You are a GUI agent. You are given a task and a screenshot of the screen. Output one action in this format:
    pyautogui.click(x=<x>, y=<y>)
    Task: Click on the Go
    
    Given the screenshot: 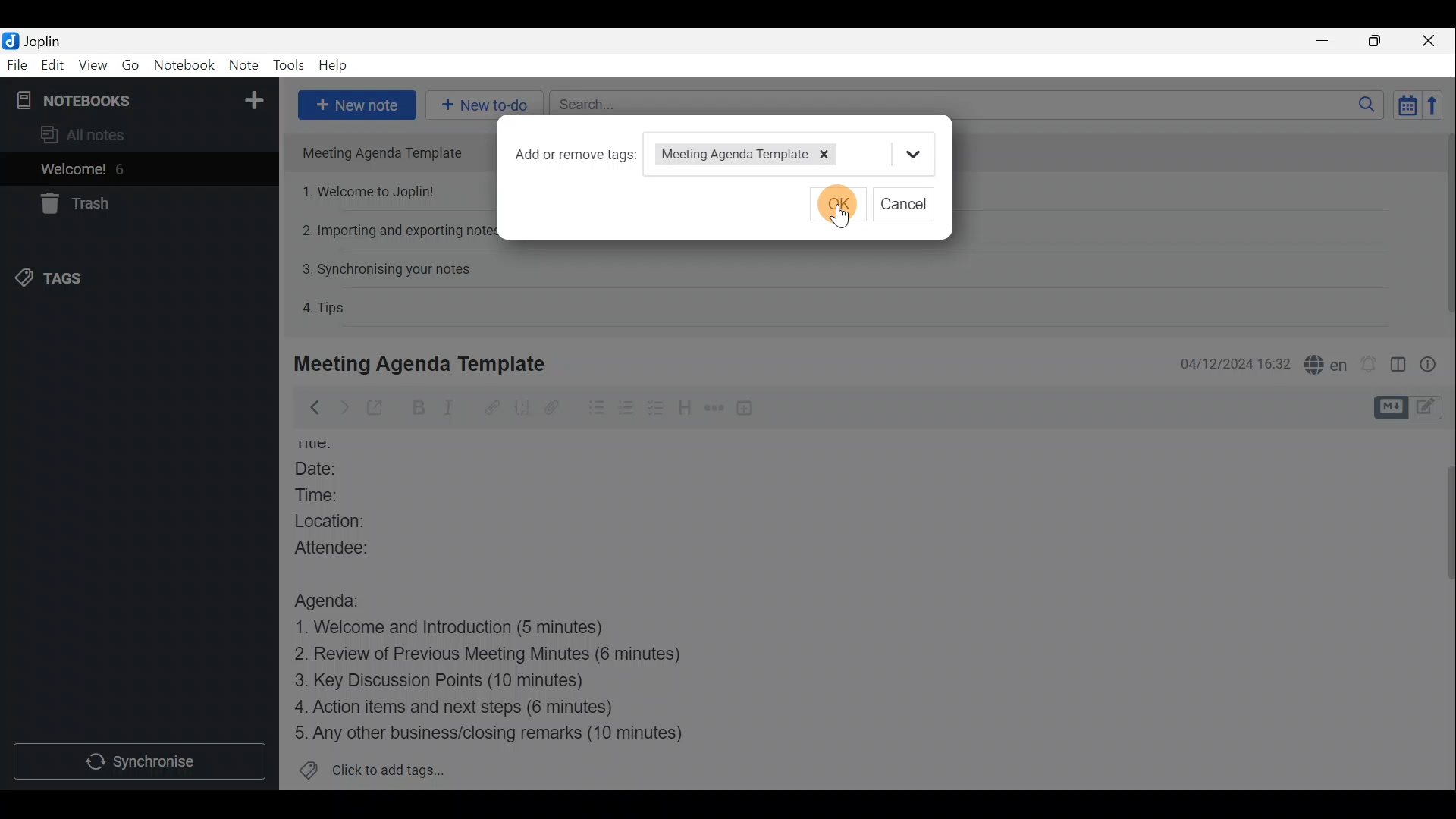 What is the action you would take?
    pyautogui.click(x=130, y=64)
    